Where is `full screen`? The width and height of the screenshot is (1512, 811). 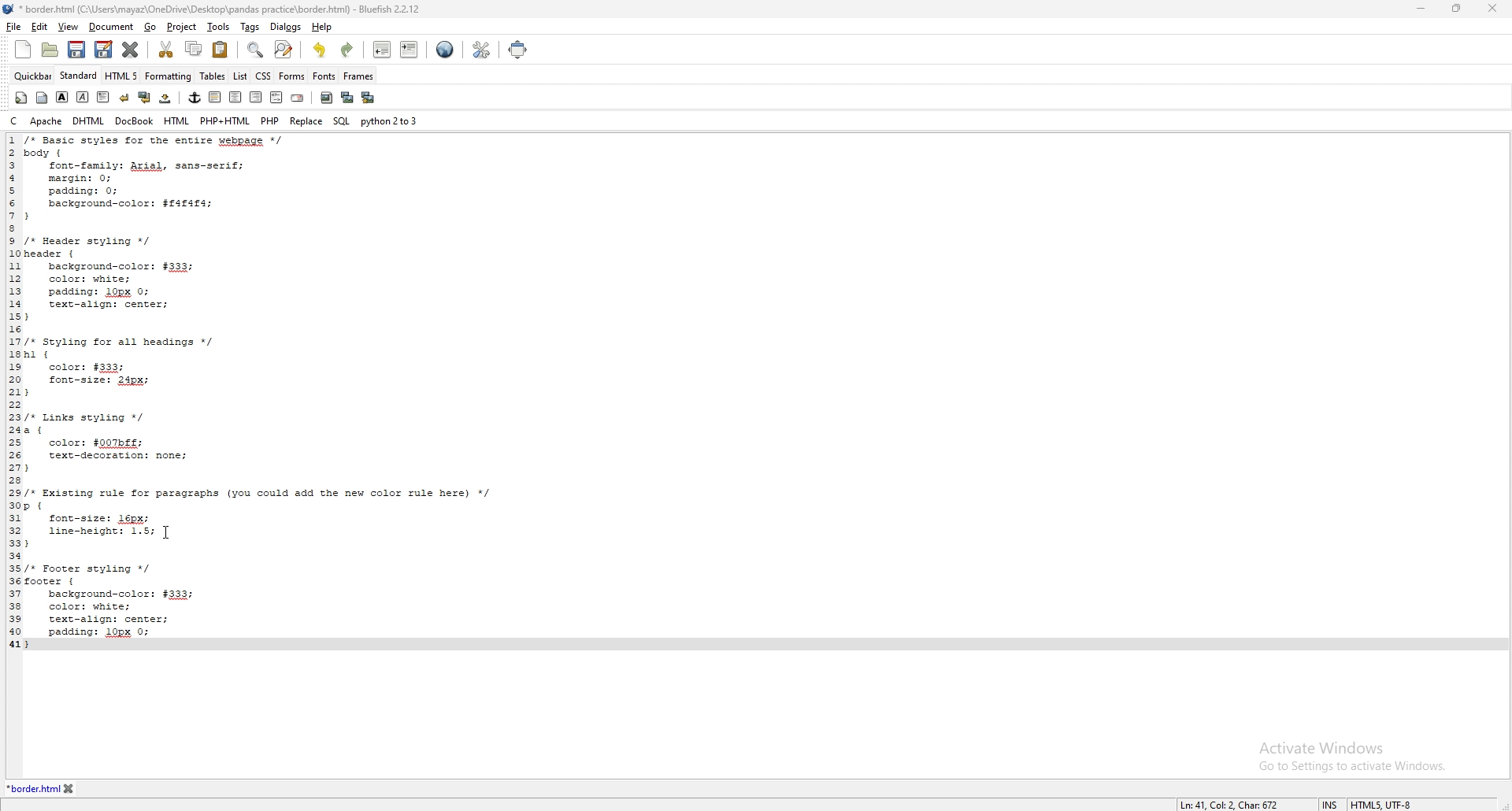 full screen is located at coordinates (517, 50).